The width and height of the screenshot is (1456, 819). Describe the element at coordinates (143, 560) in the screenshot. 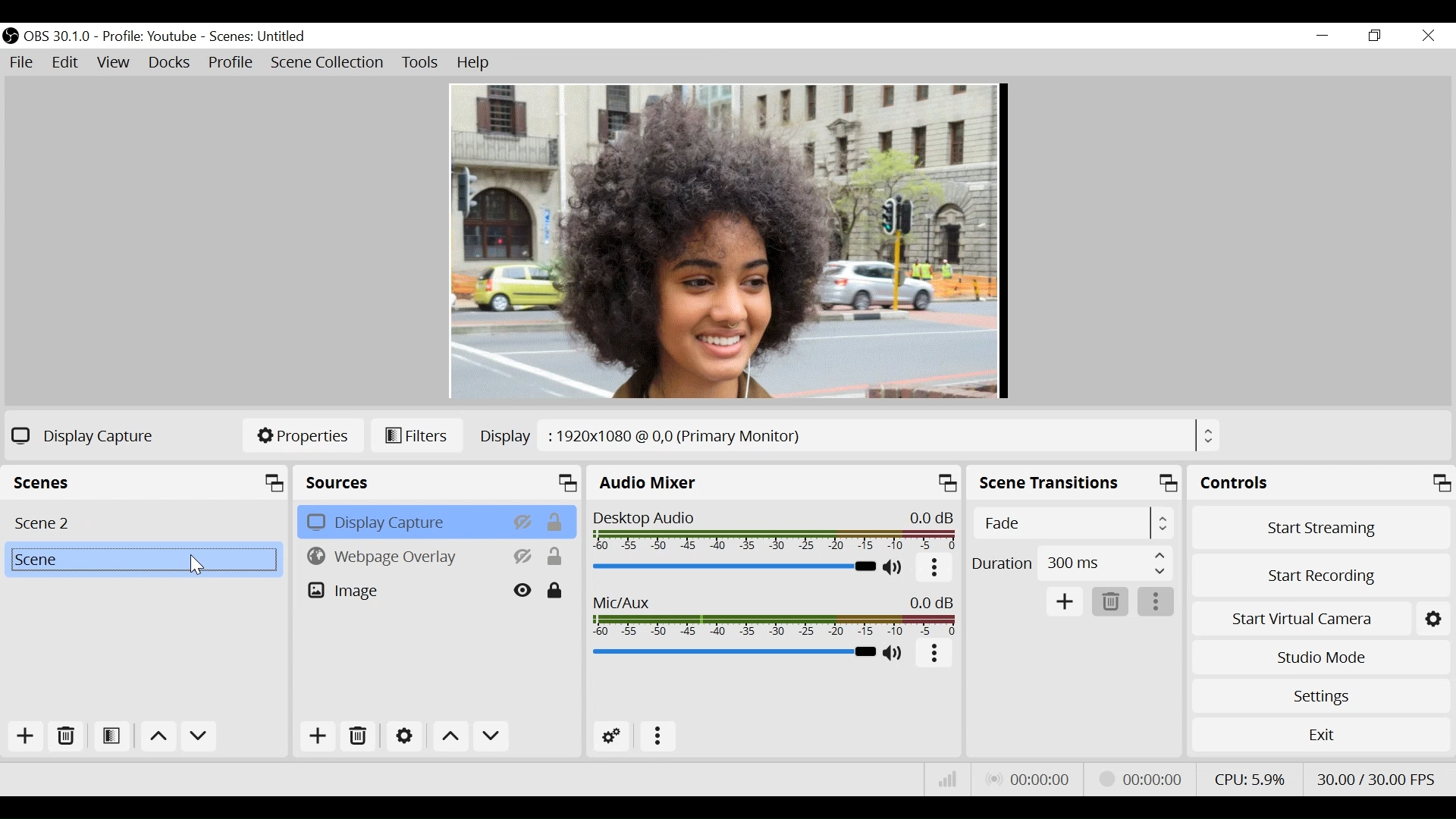

I see `Scene` at that location.